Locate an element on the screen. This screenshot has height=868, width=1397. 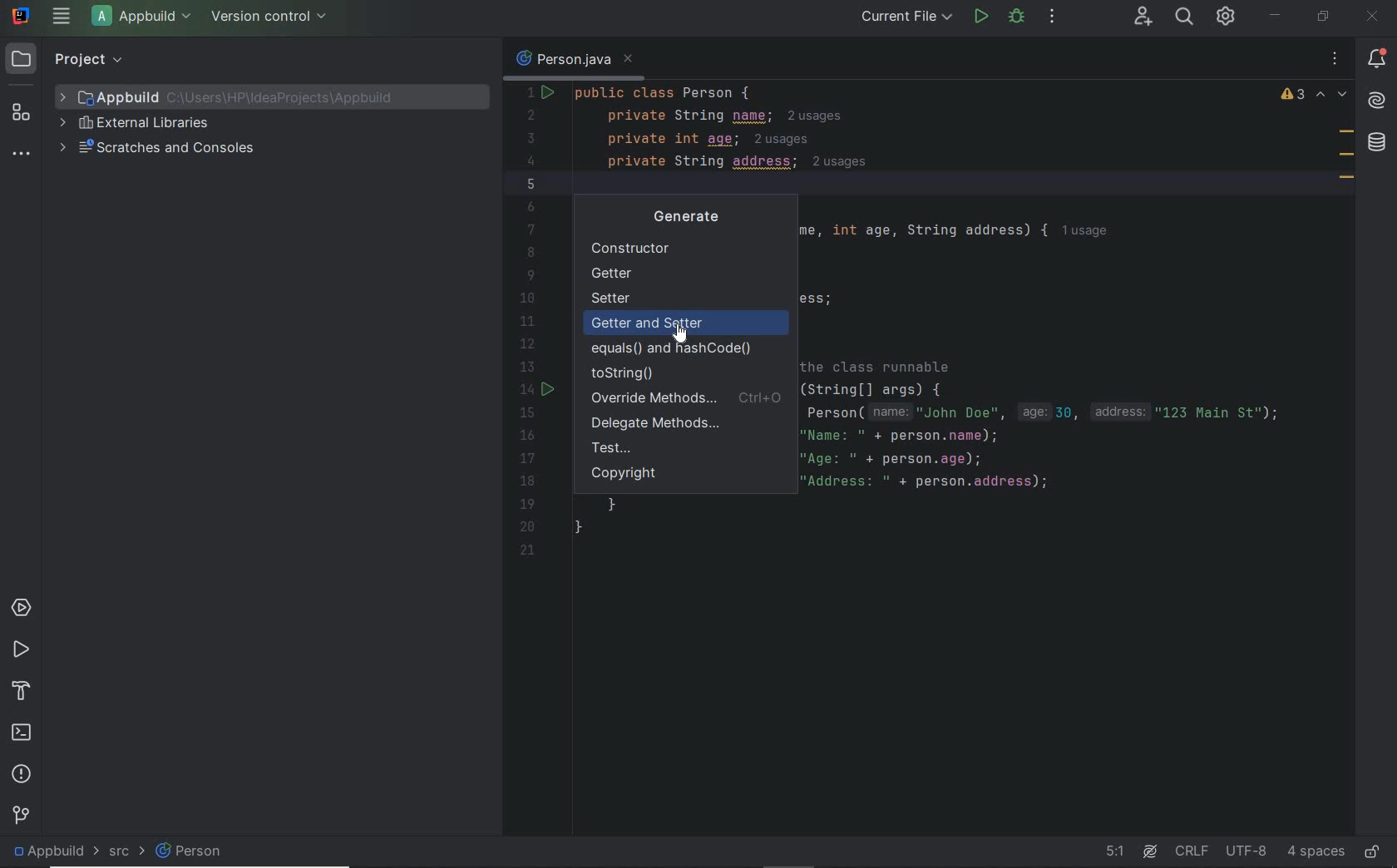
Test... is located at coordinates (619, 446).